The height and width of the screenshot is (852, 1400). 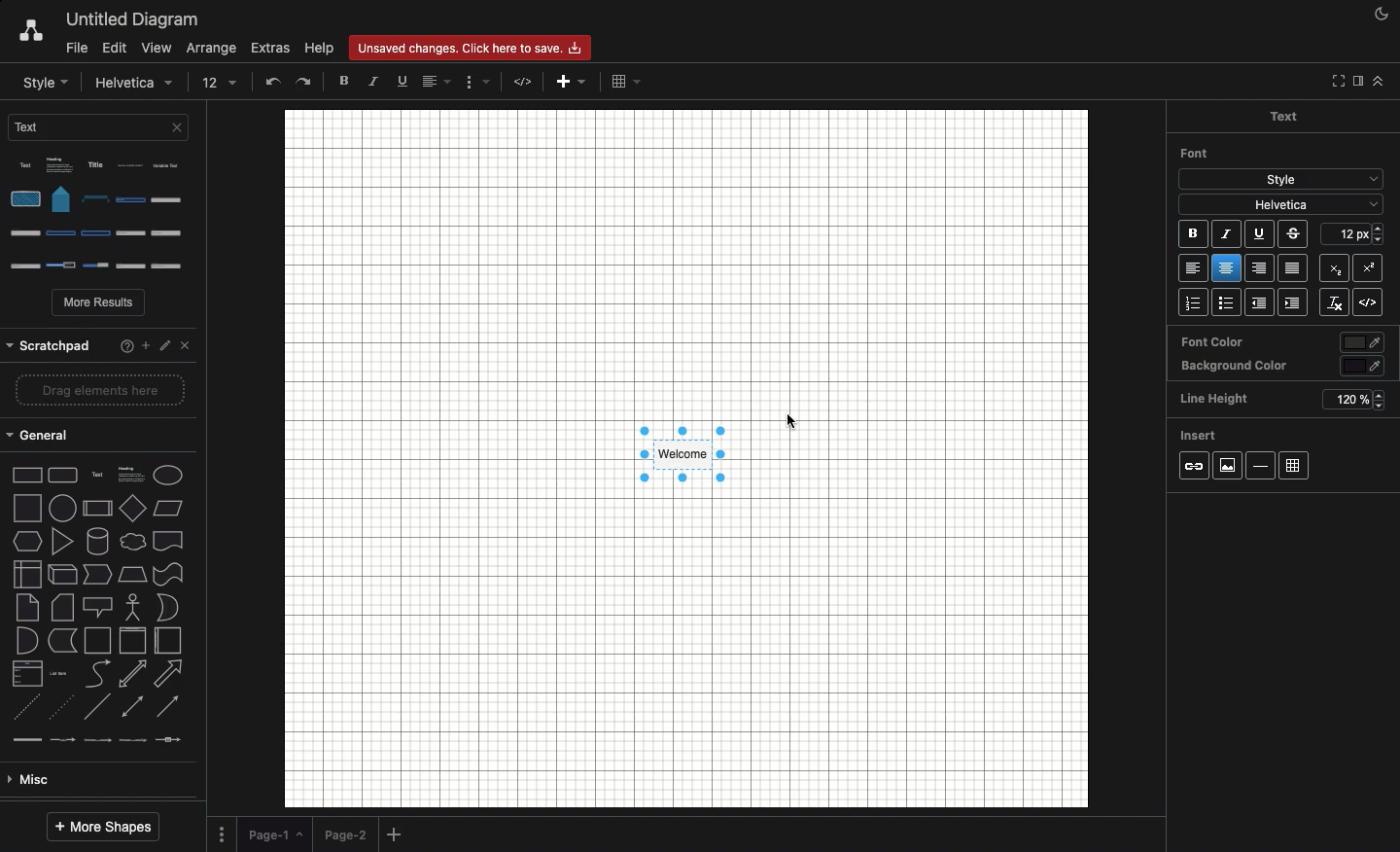 What do you see at coordinates (1191, 303) in the screenshot?
I see `Number` at bounding box center [1191, 303].